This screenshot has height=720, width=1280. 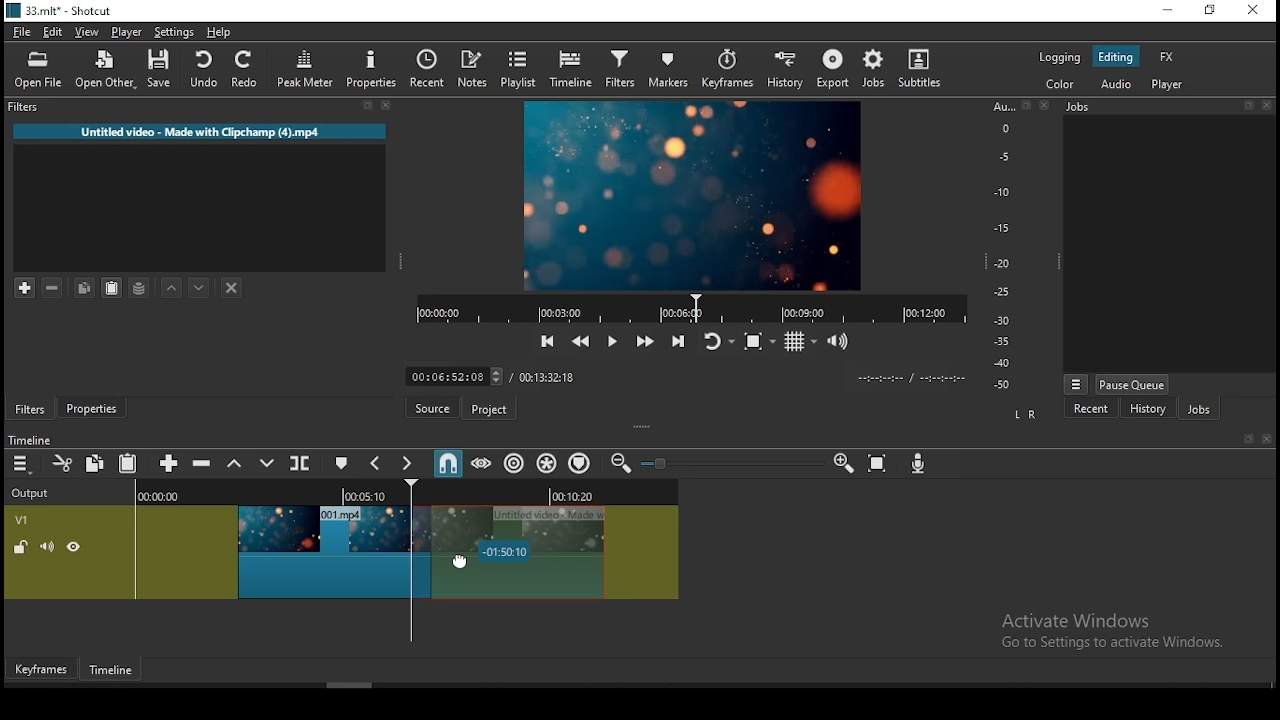 What do you see at coordinates (423, 69) in the screenshot?
I see `recent` at bounding box center [423, 69].